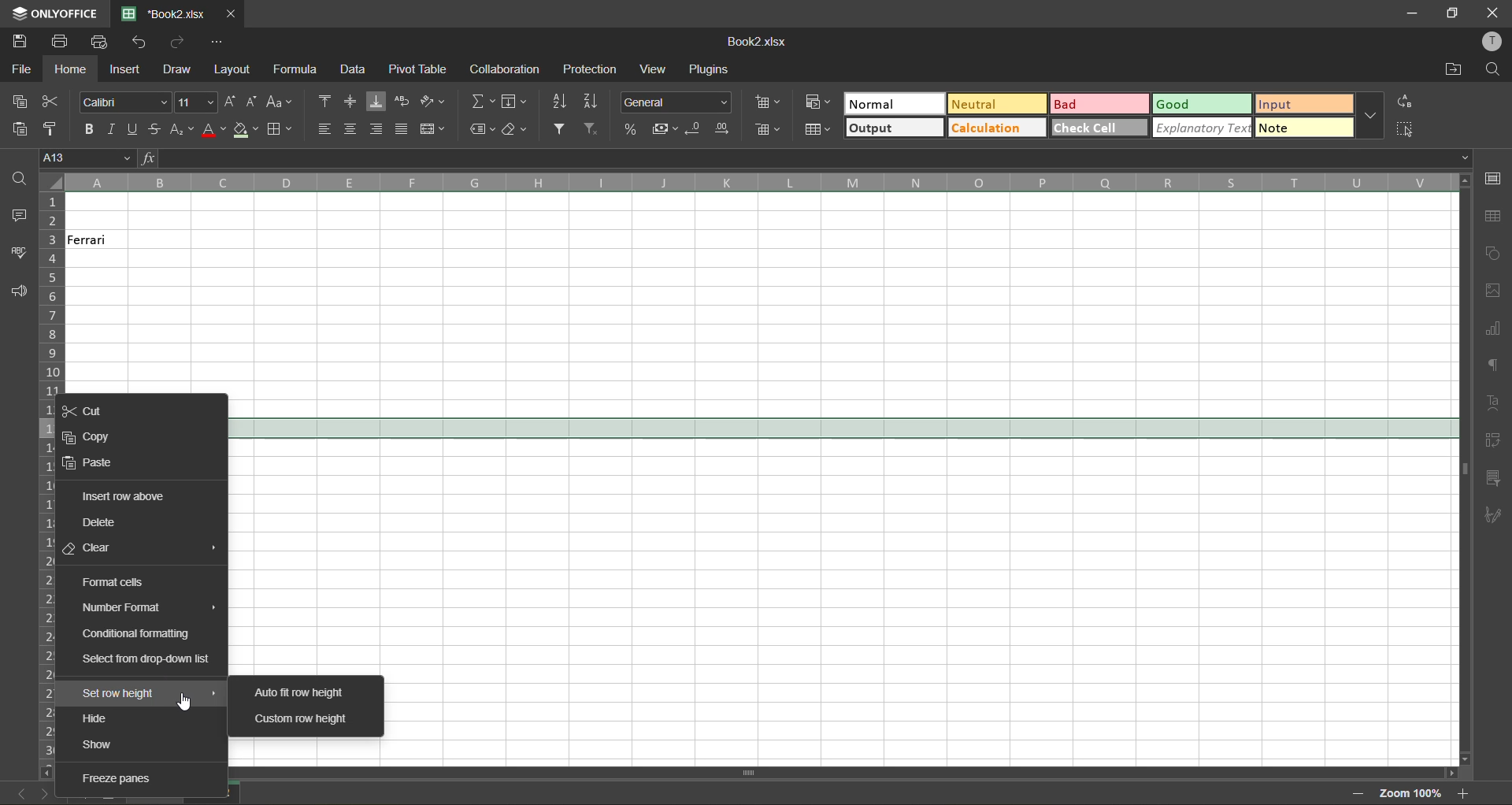  I want to click on scrollbar, so click(1464, 469).